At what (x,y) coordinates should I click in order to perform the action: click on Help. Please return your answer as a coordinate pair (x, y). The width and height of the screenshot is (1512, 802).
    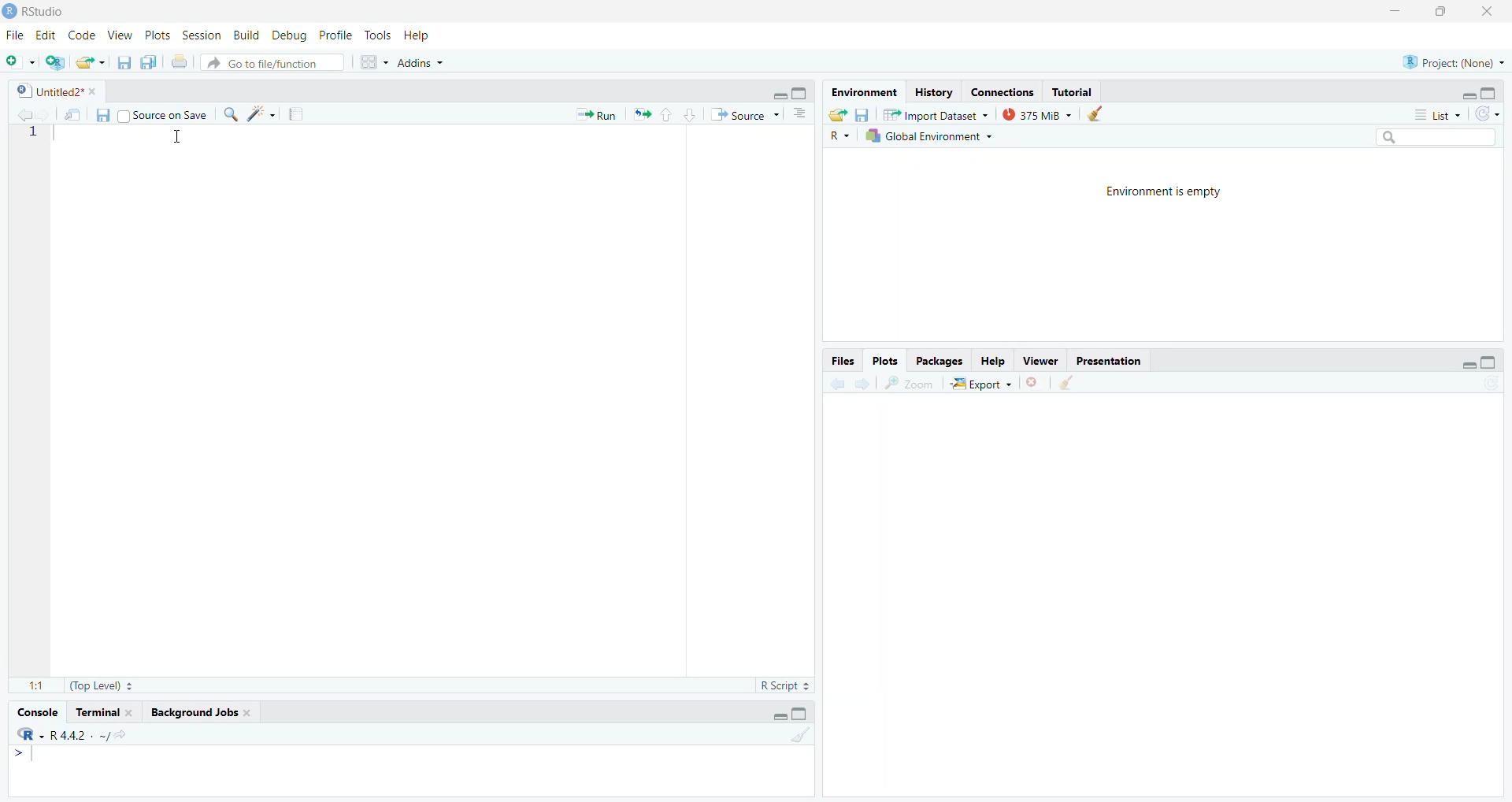
    Looking at the image, I should click on (991, 360).